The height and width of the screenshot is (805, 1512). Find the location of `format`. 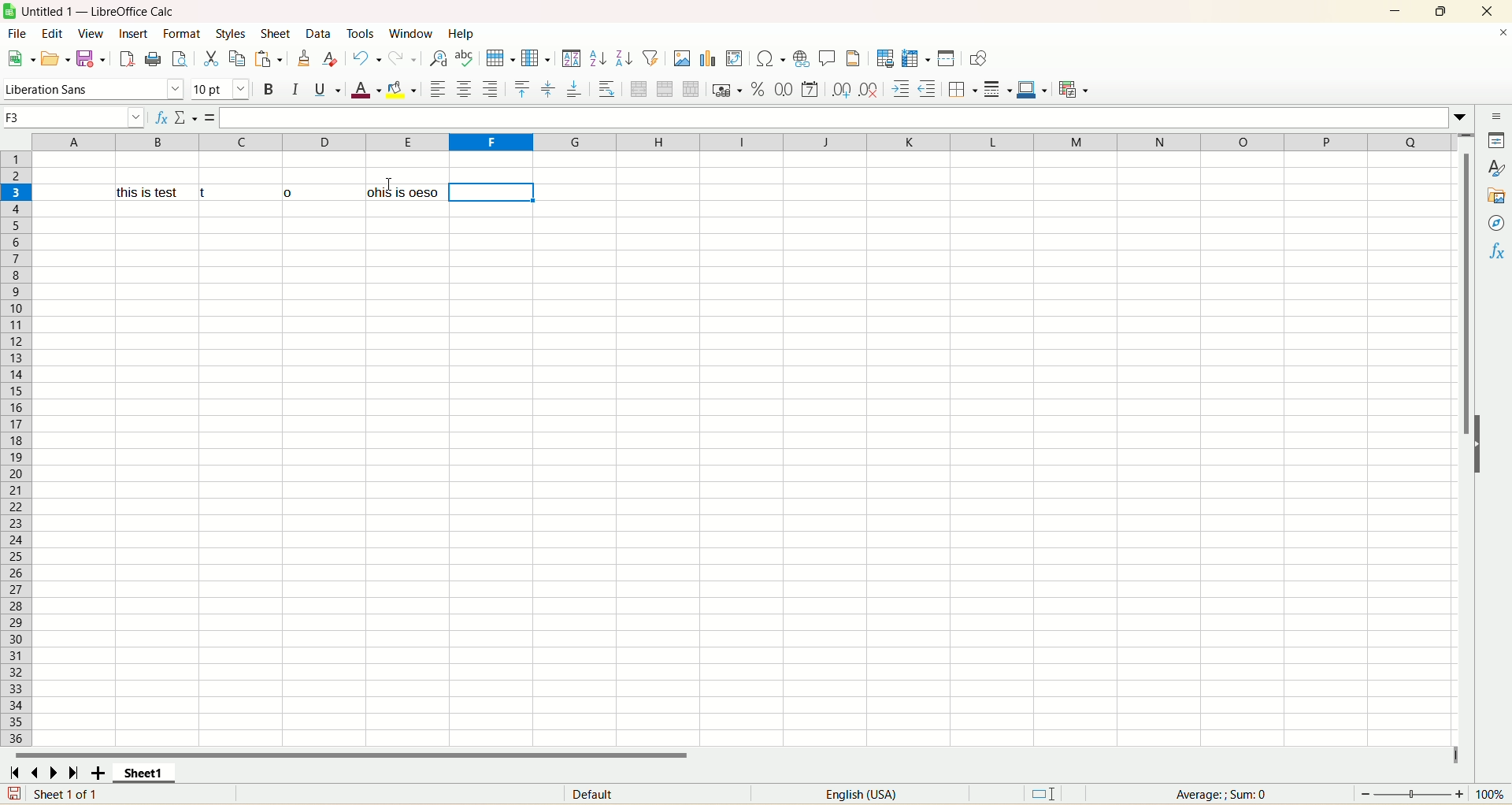

format is located at coordinates (181, 35).